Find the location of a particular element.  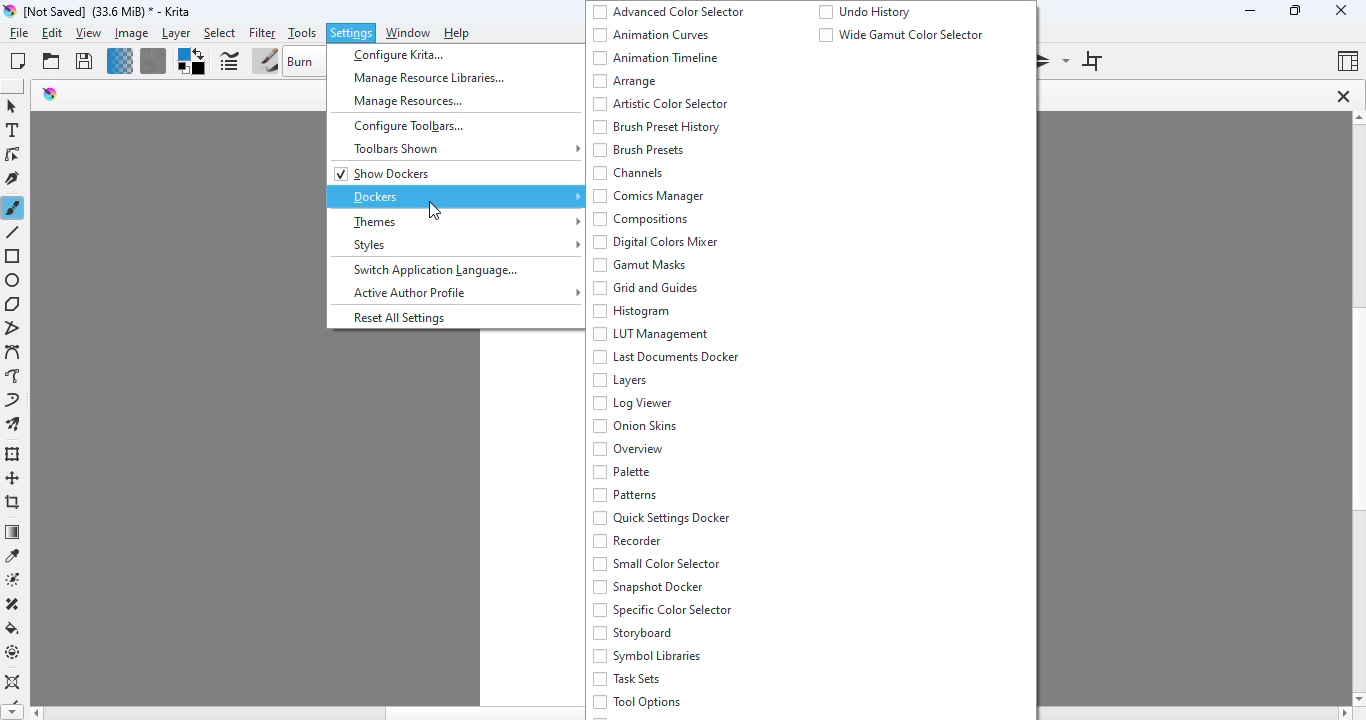

wide gamut color selector is located at coordinates (901, 34).